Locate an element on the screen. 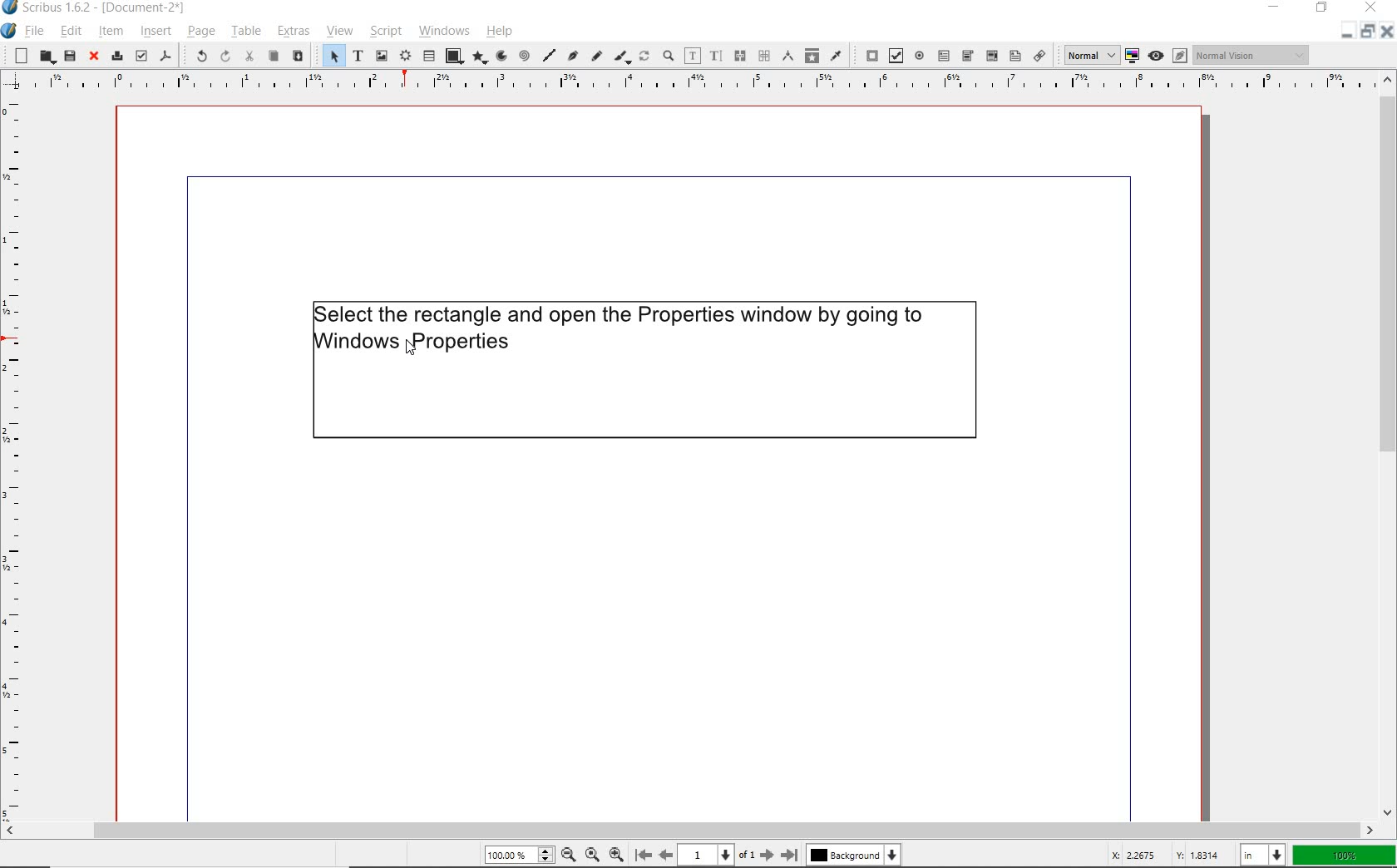 This screenshot has height=868, width=1397. select item is located at coordinates (332, 57).